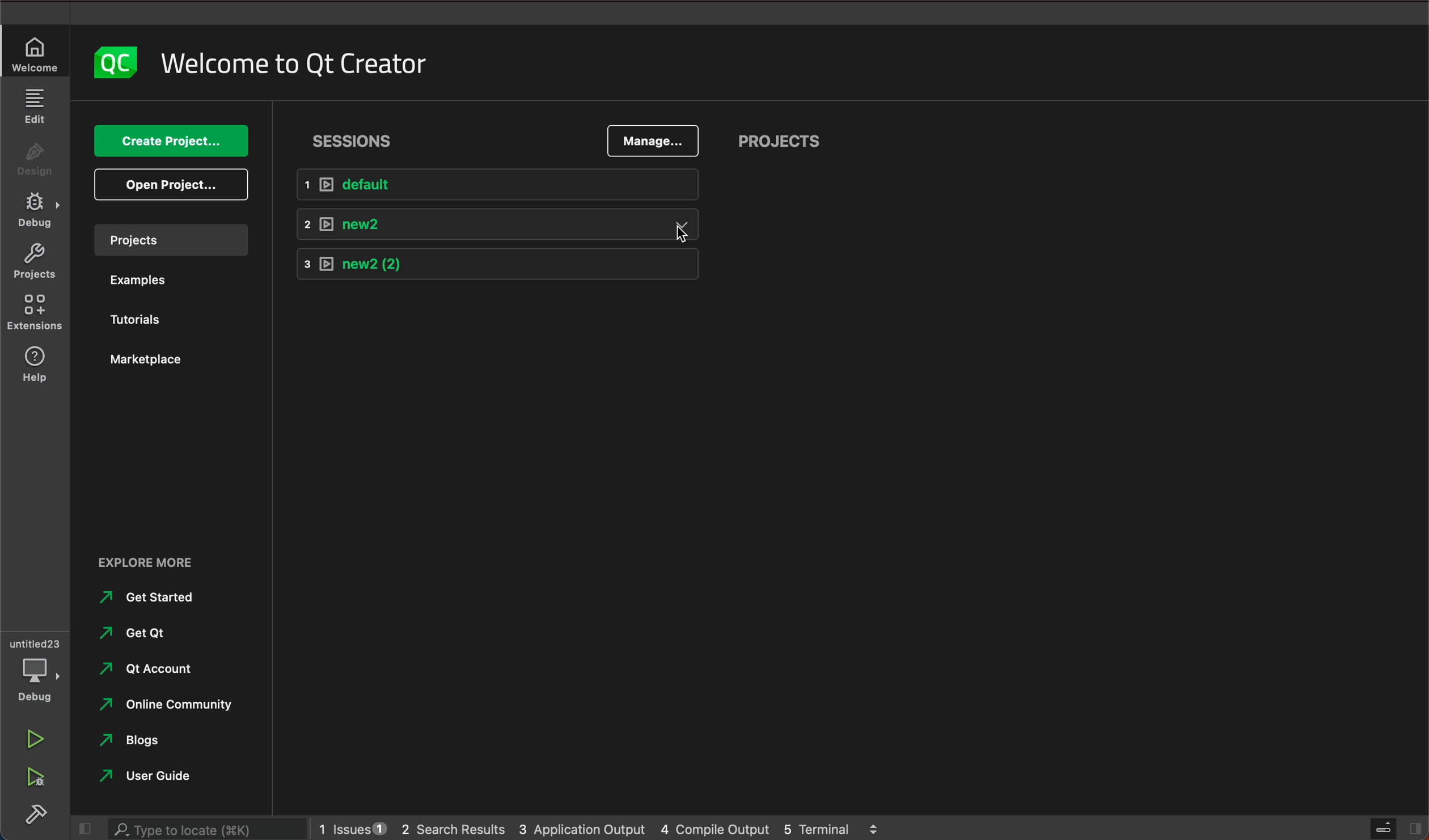  What do you see at coordinates (500, 222) in the screenshot?
I see `new2` at bounding box center [500, 222].